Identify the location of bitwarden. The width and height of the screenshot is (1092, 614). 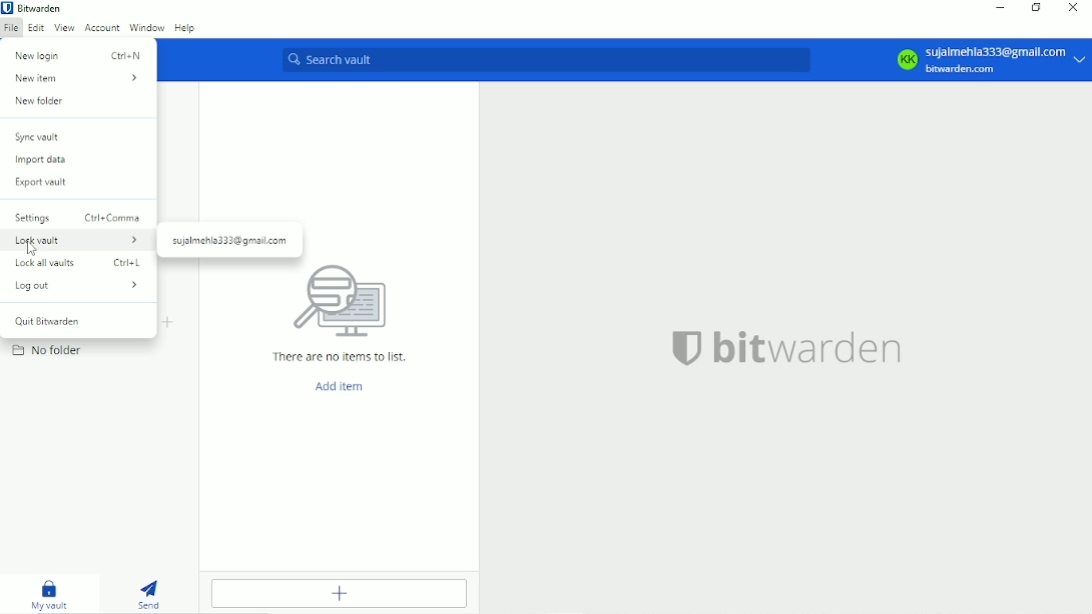
(790, 353).